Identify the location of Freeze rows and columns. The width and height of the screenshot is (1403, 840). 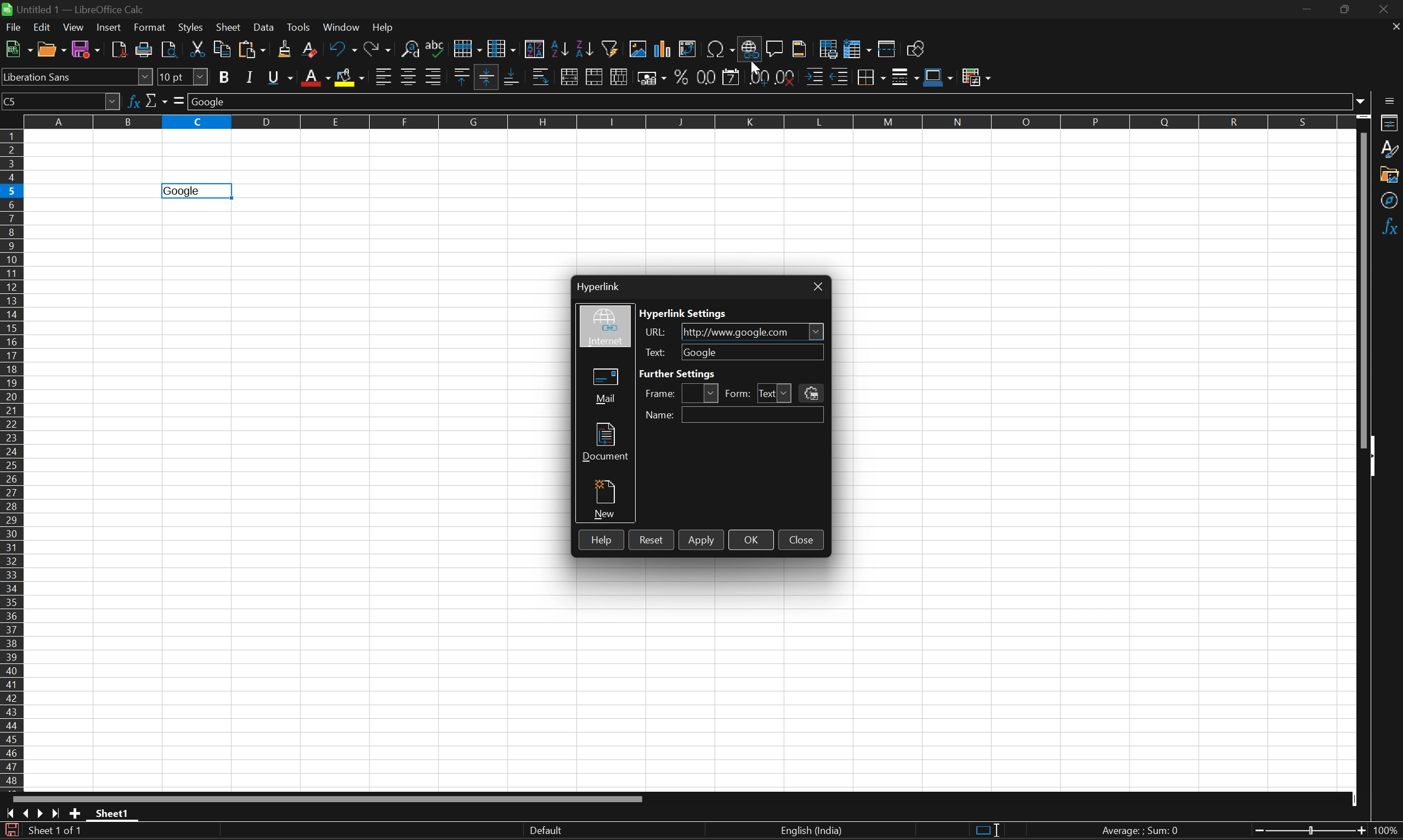
(858, 48).